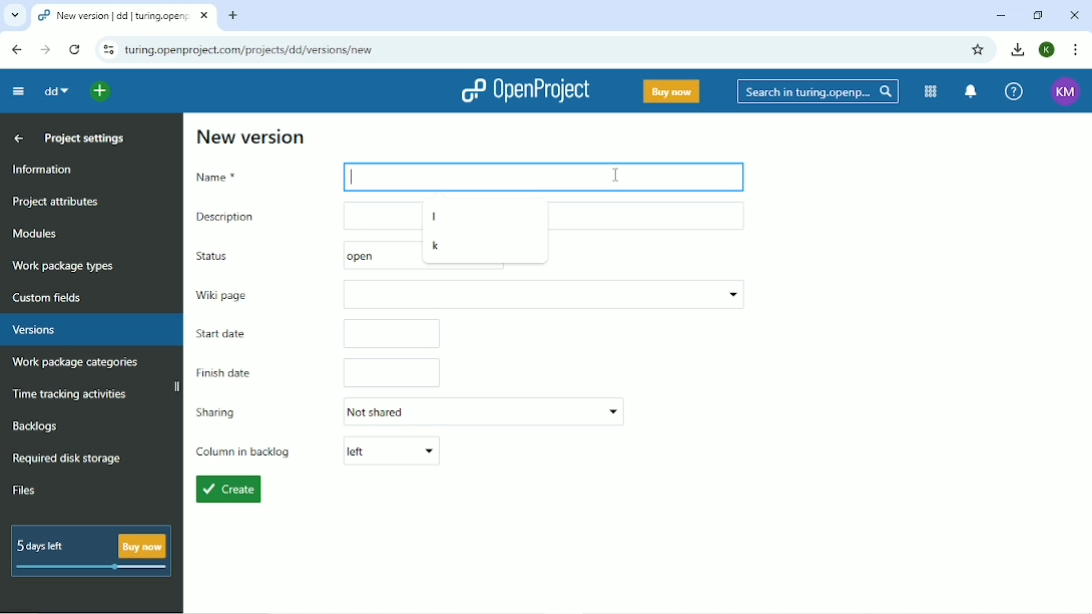 This screenshot has width=1092, height=614. I want to click on Account, so click(1048, 49).